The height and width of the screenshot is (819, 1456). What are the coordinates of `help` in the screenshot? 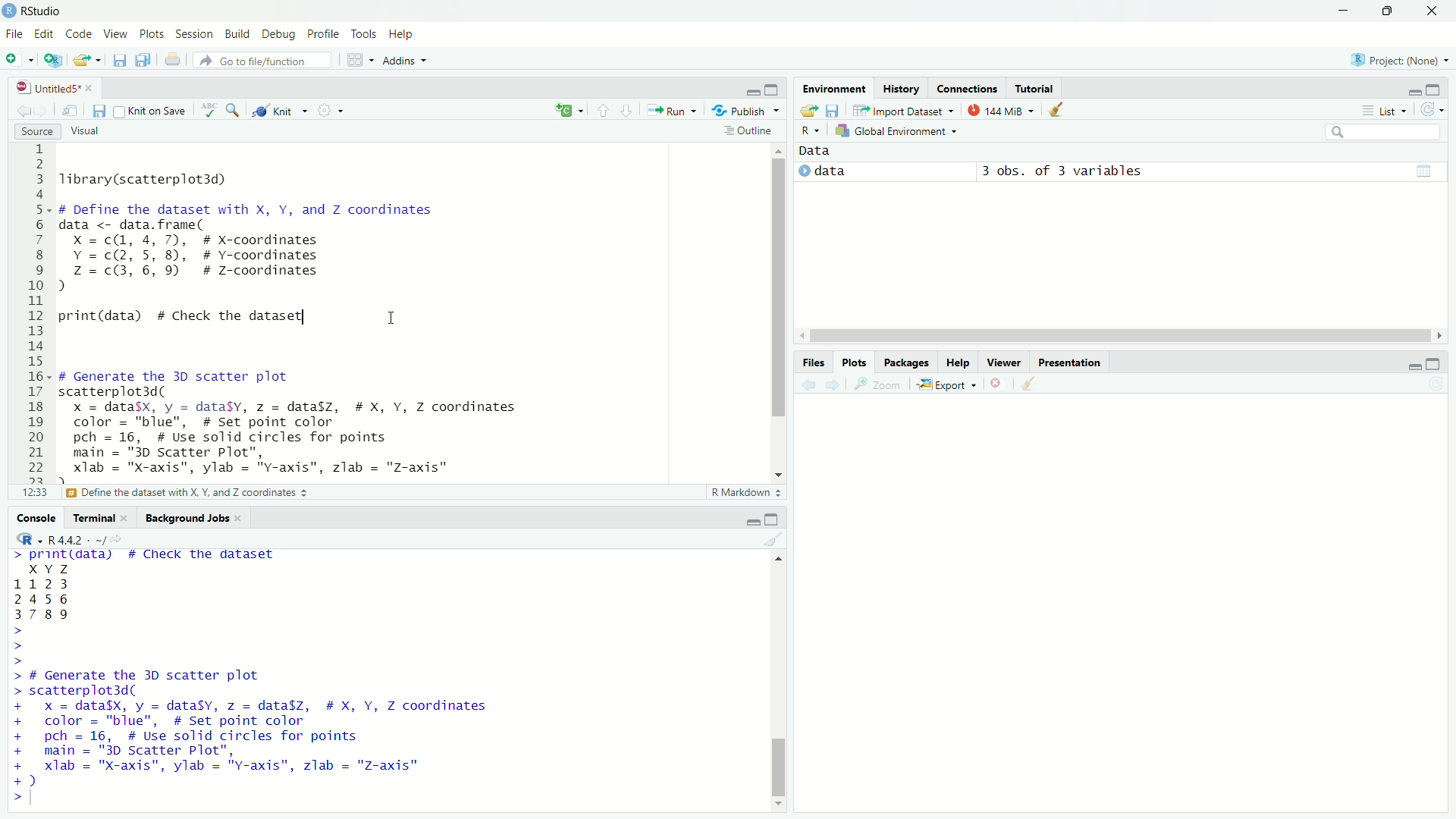 It's located at (404, 35).